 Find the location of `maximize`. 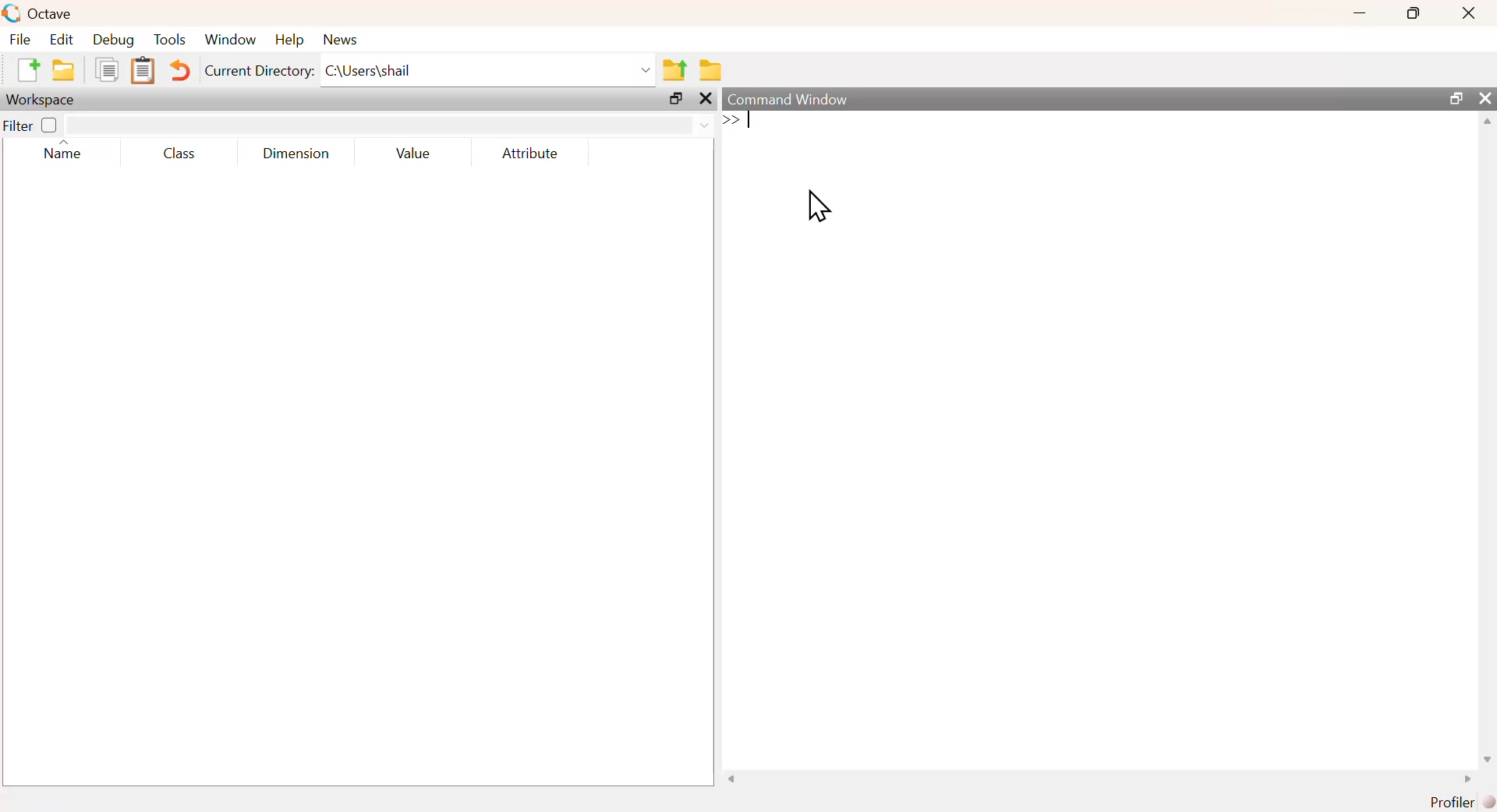

maximize is located at coordinates (1414, 12).